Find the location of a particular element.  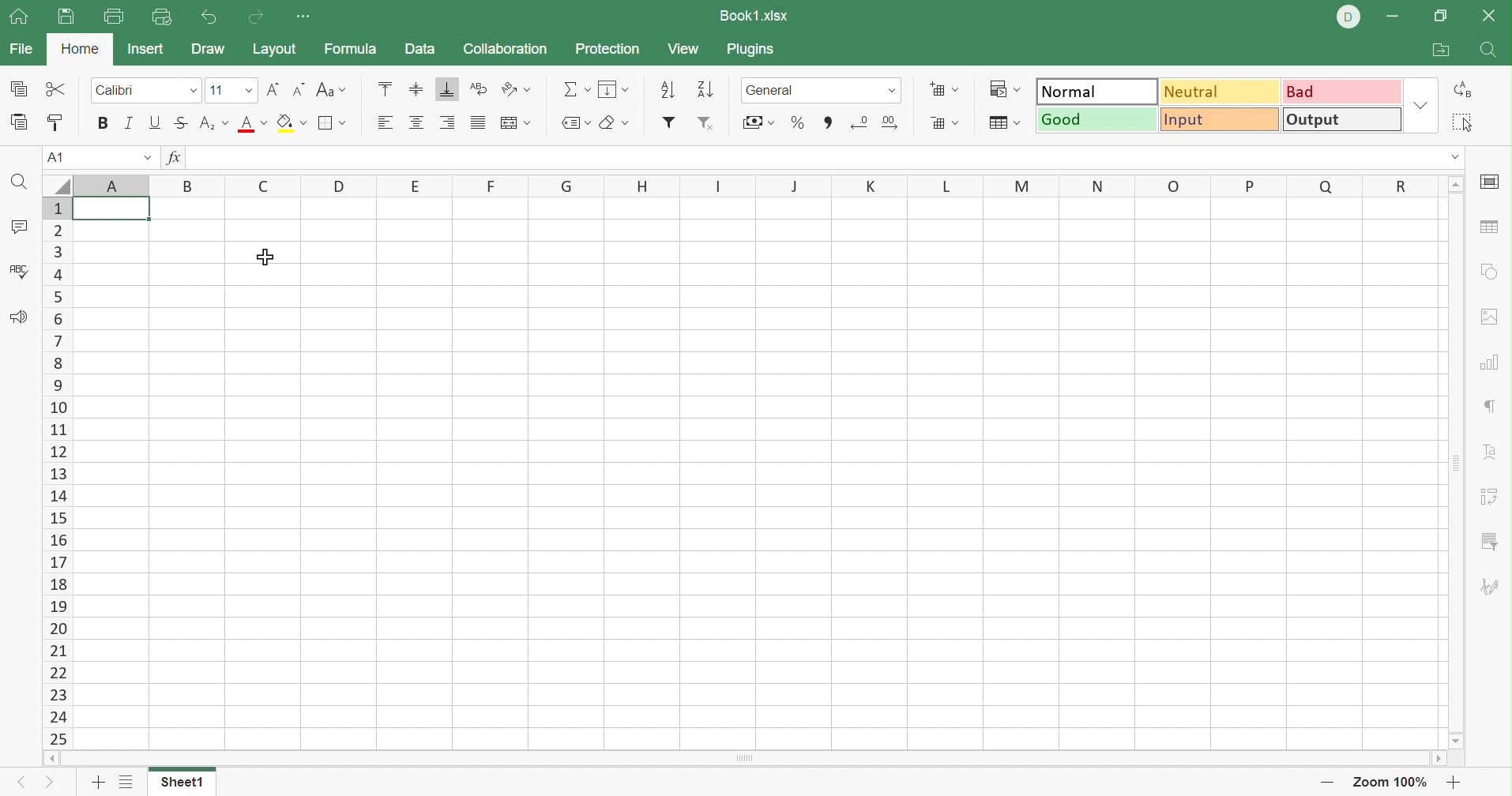

Bad is located at coordinates (1342, 91).